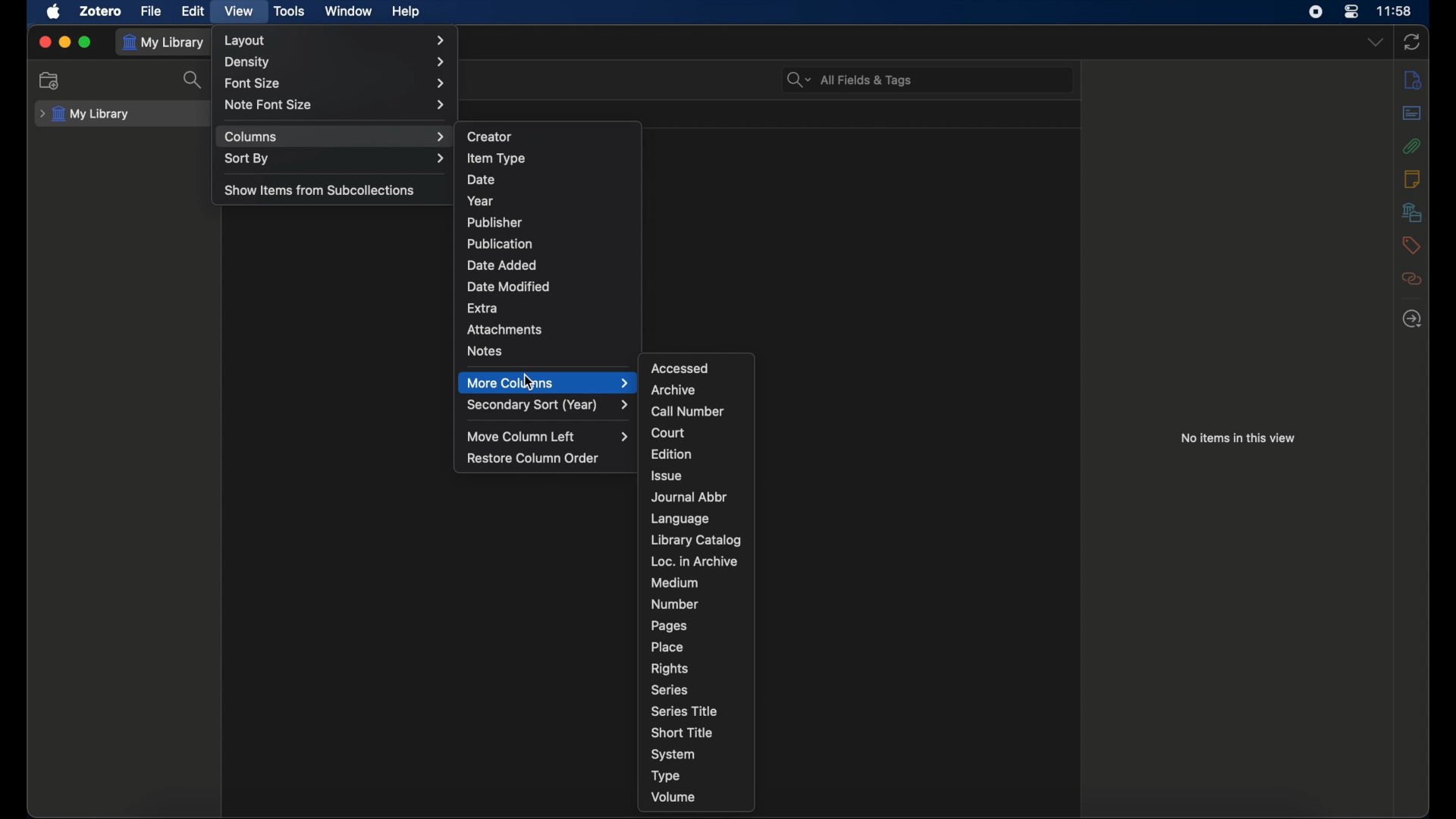 The image size is (1456, 819). I want to click on tags, so click(1411, 244).